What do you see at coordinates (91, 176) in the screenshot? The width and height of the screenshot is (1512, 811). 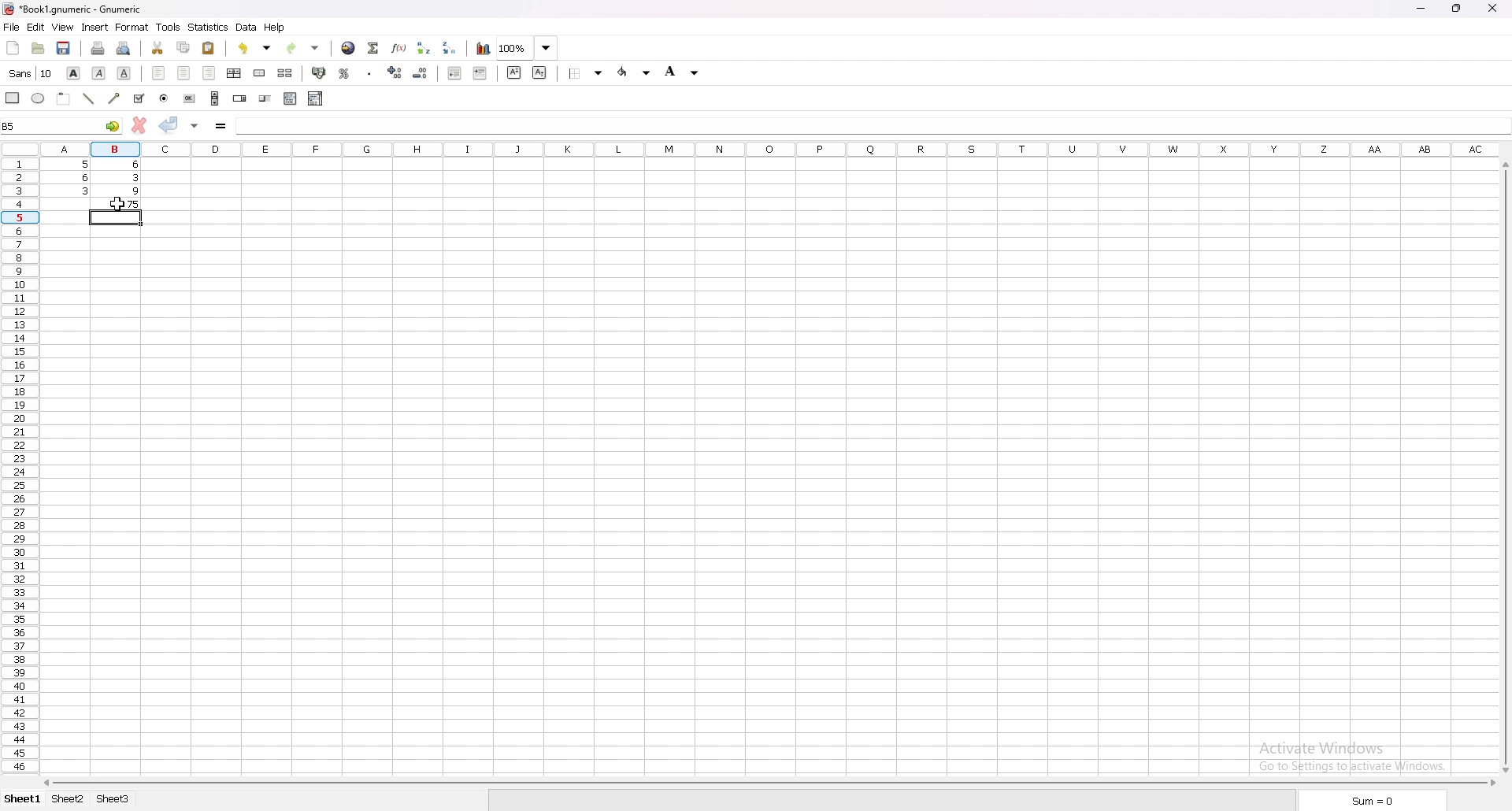 I see `data` at bounding box center [91, 176].